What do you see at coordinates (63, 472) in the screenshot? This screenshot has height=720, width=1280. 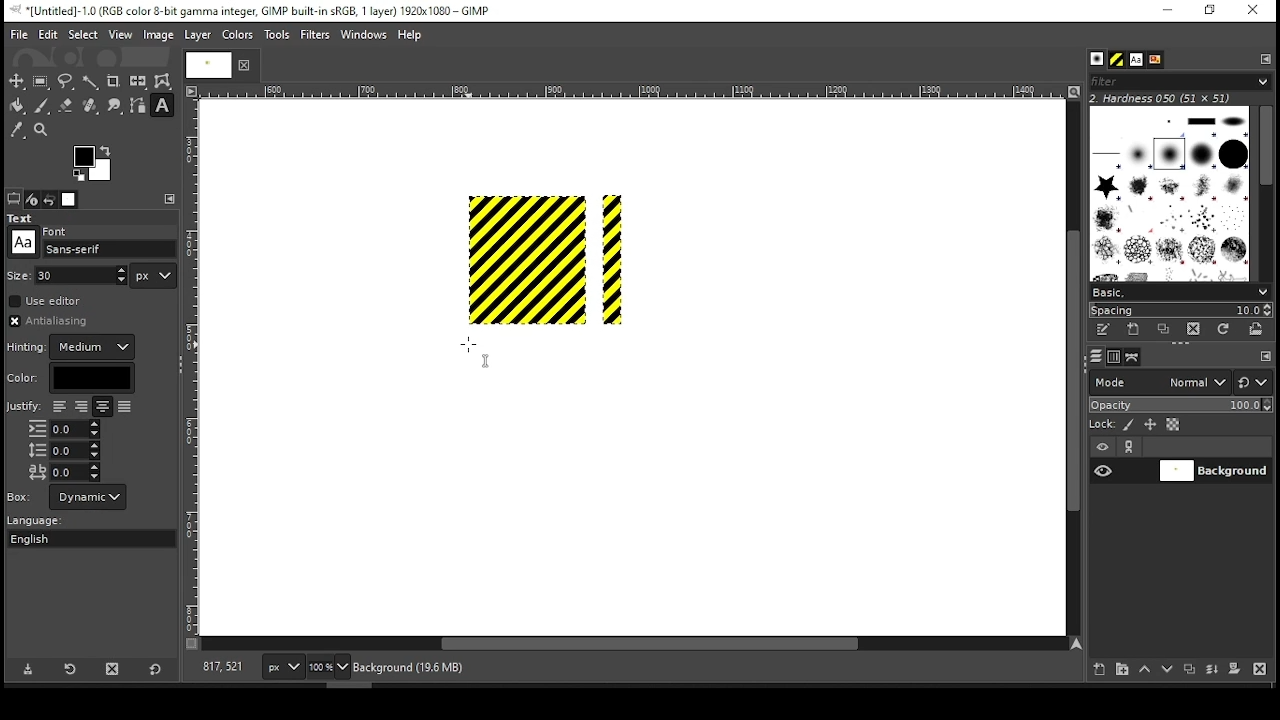 I see `adjust character spacing` at bounding box center [63, 472].